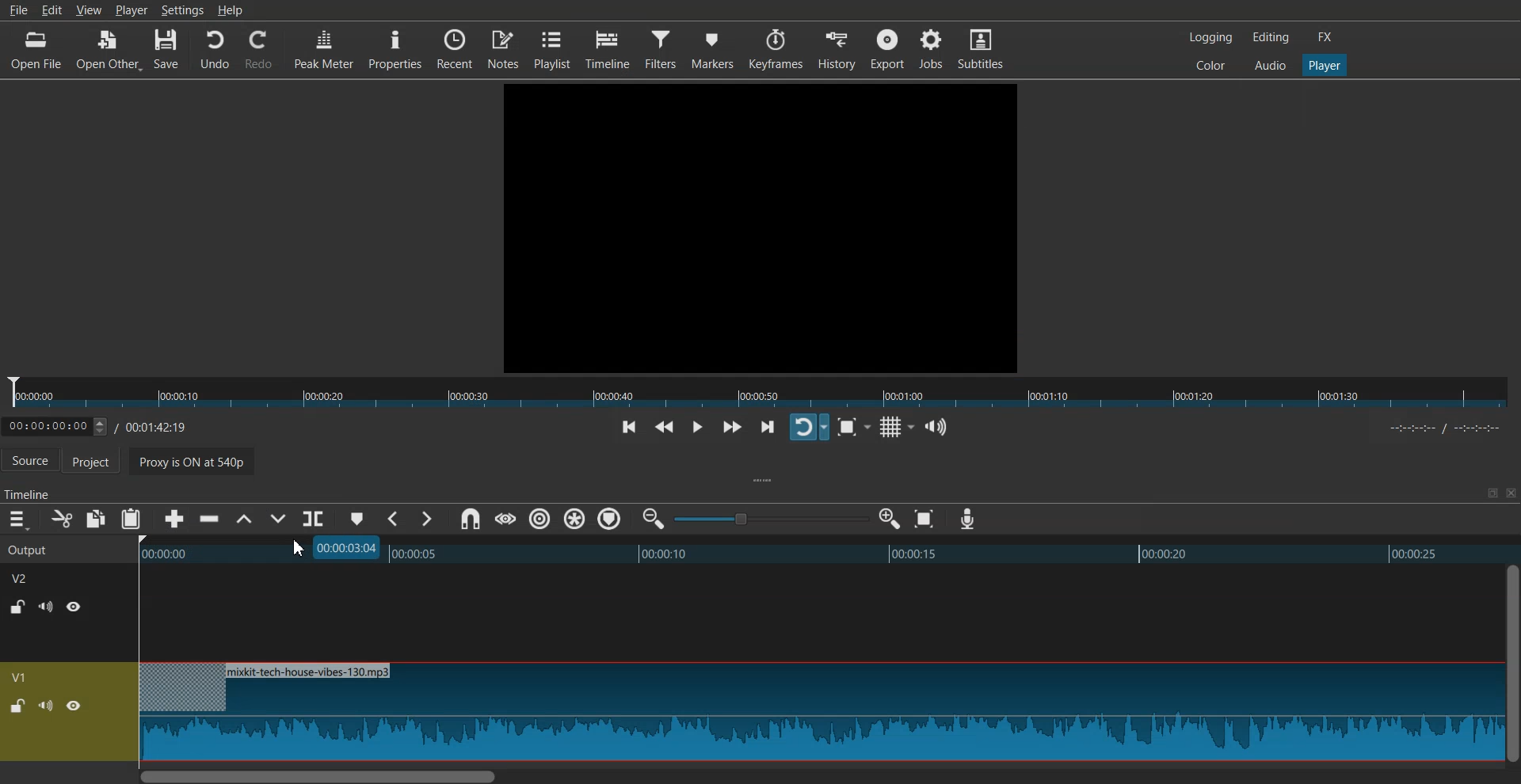  I want to click on V2, so click(28, 577).